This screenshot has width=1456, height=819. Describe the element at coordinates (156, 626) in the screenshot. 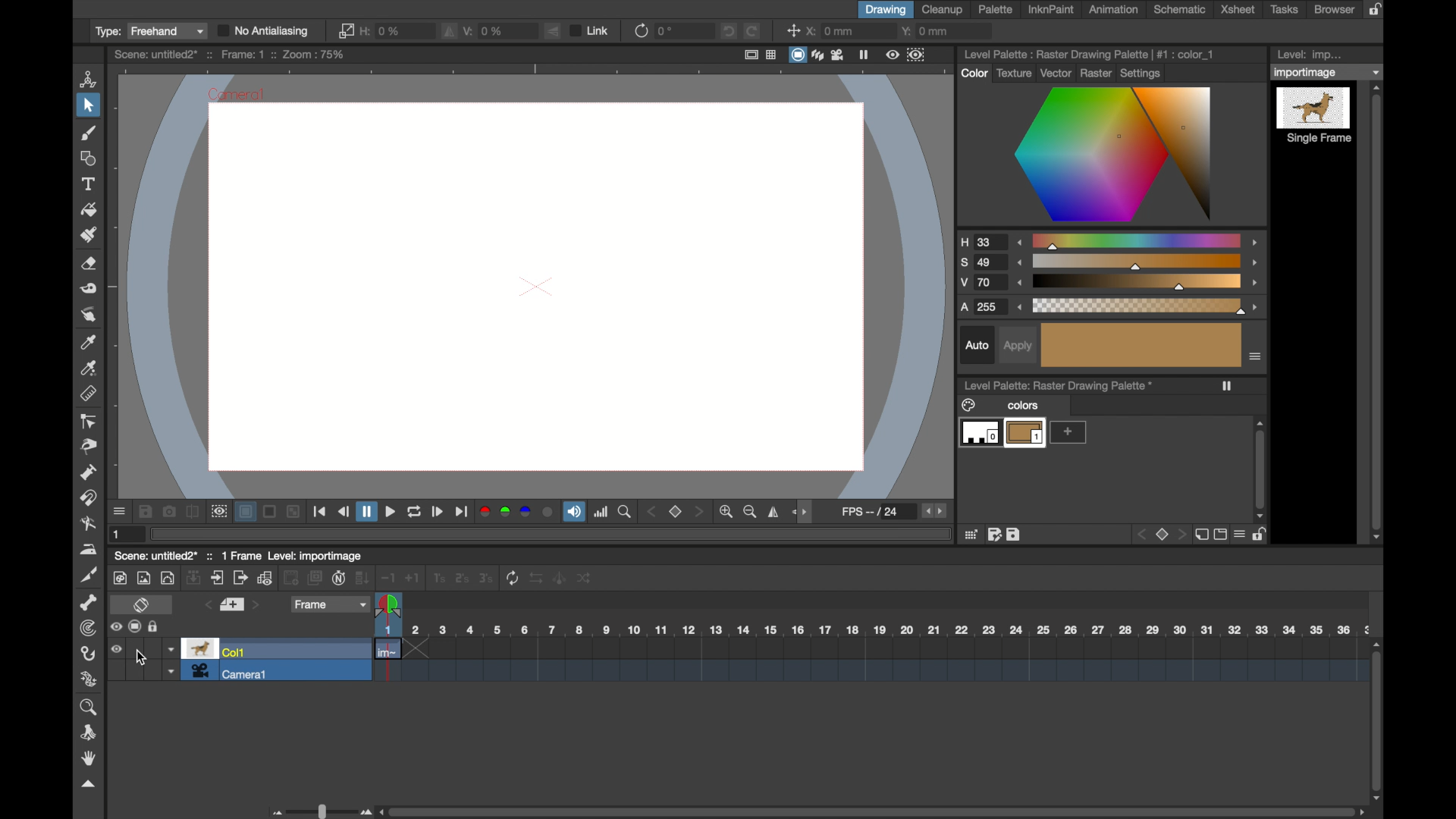

I see `unlock` at that location.